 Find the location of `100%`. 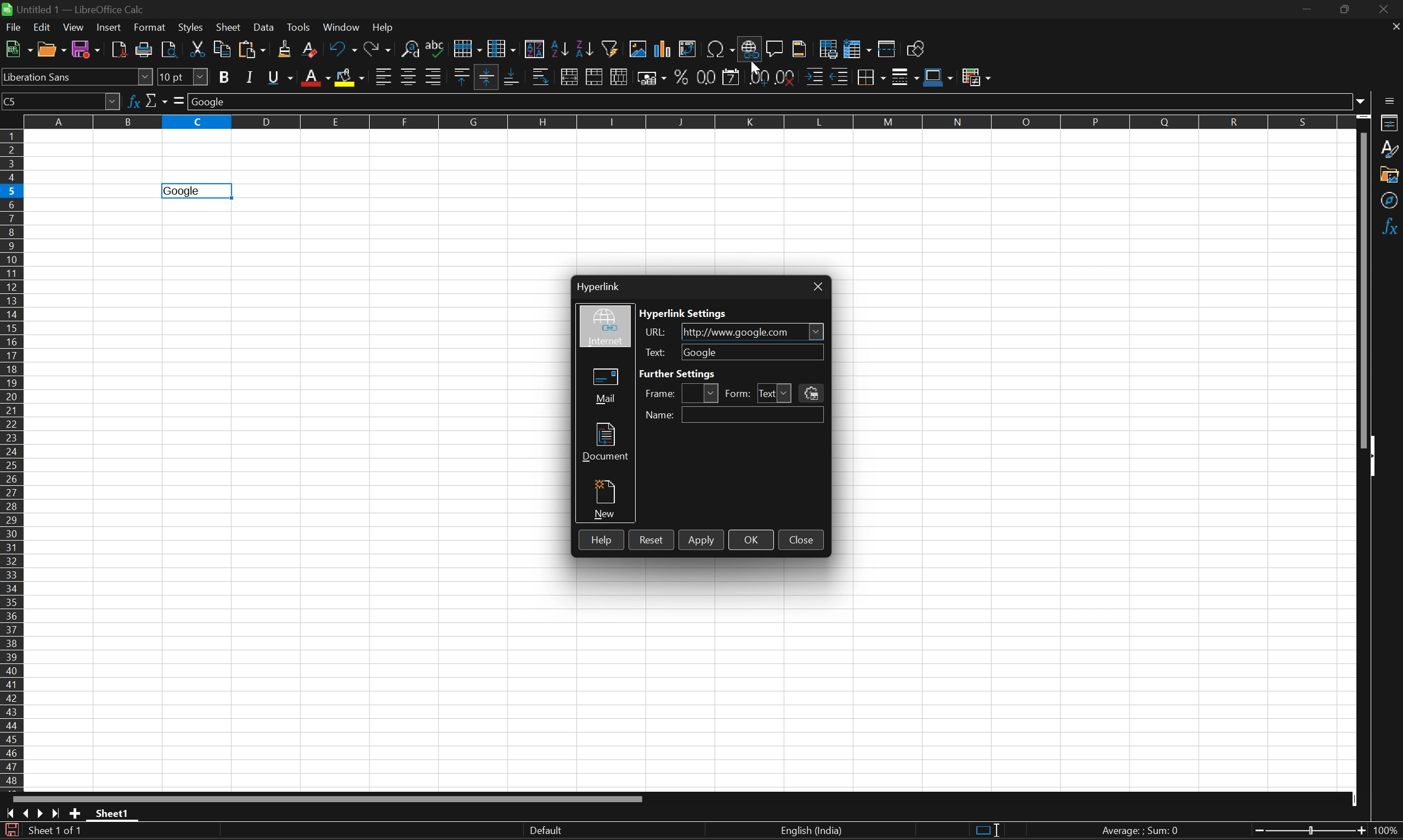

100% is located at coordinates (1387, 831).